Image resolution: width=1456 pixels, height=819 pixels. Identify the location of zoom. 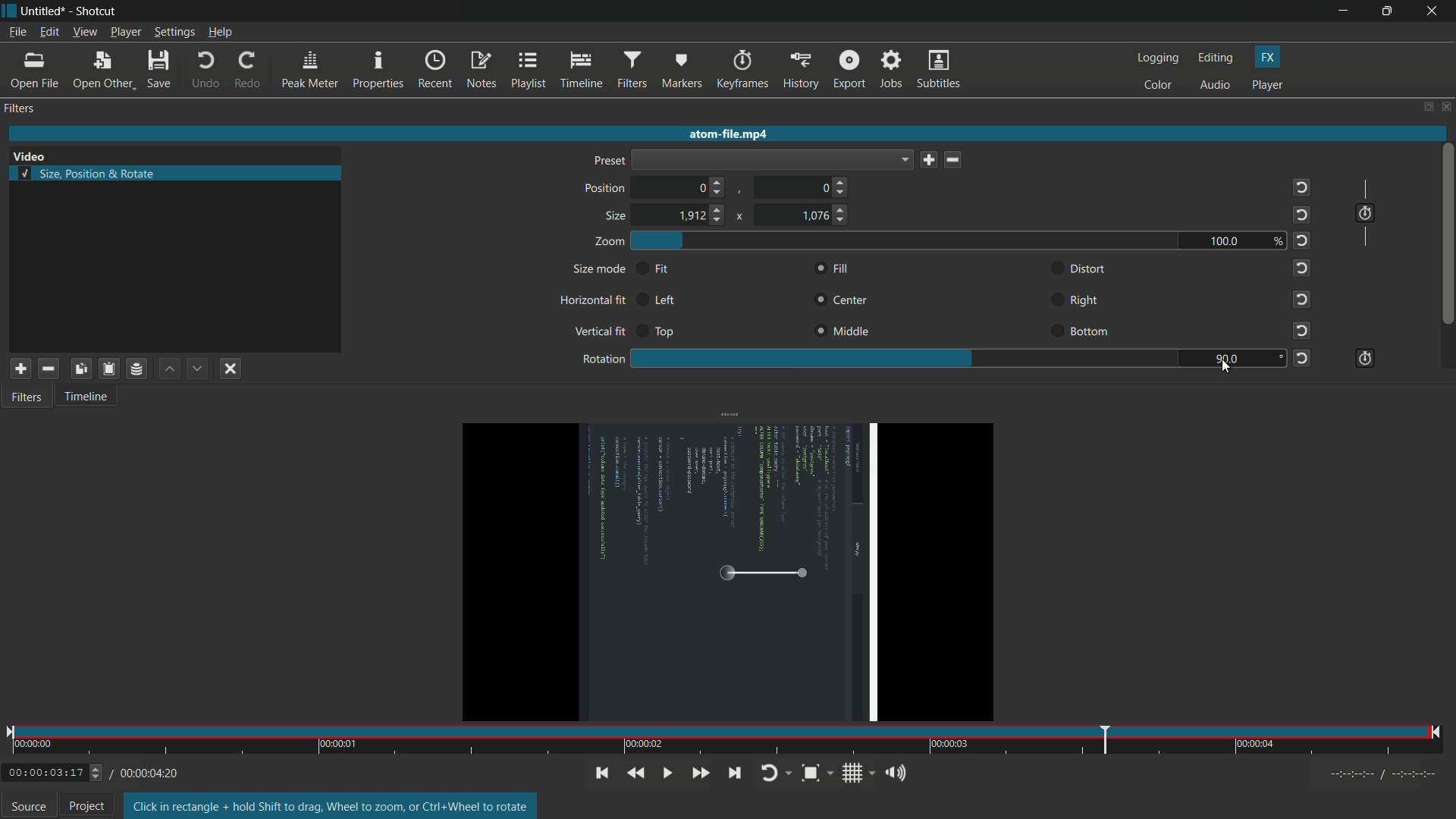
(609, 242).